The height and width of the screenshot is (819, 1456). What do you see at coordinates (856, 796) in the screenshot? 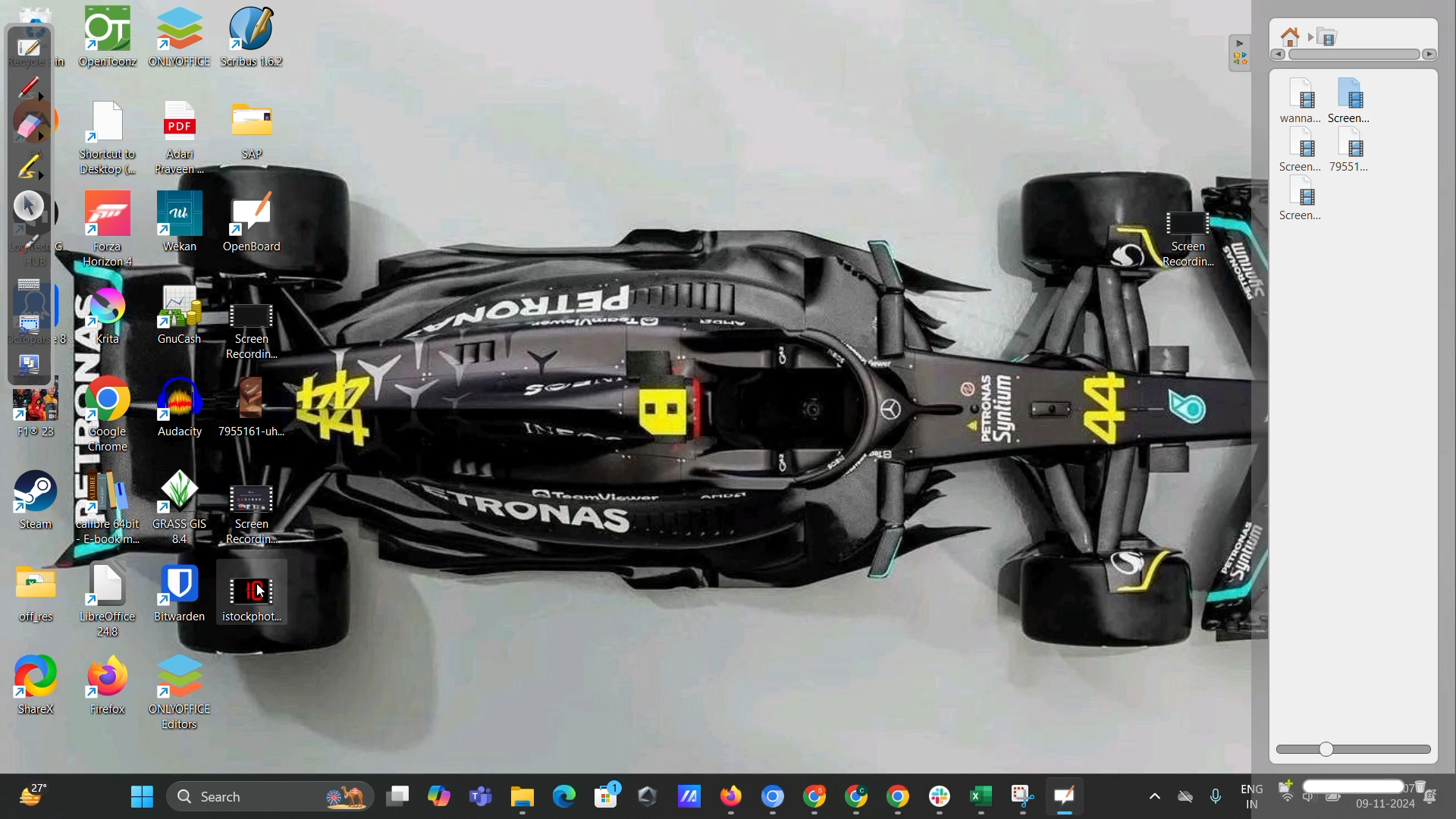
I see `minimized google chrome` at bounding box center [856, 796].